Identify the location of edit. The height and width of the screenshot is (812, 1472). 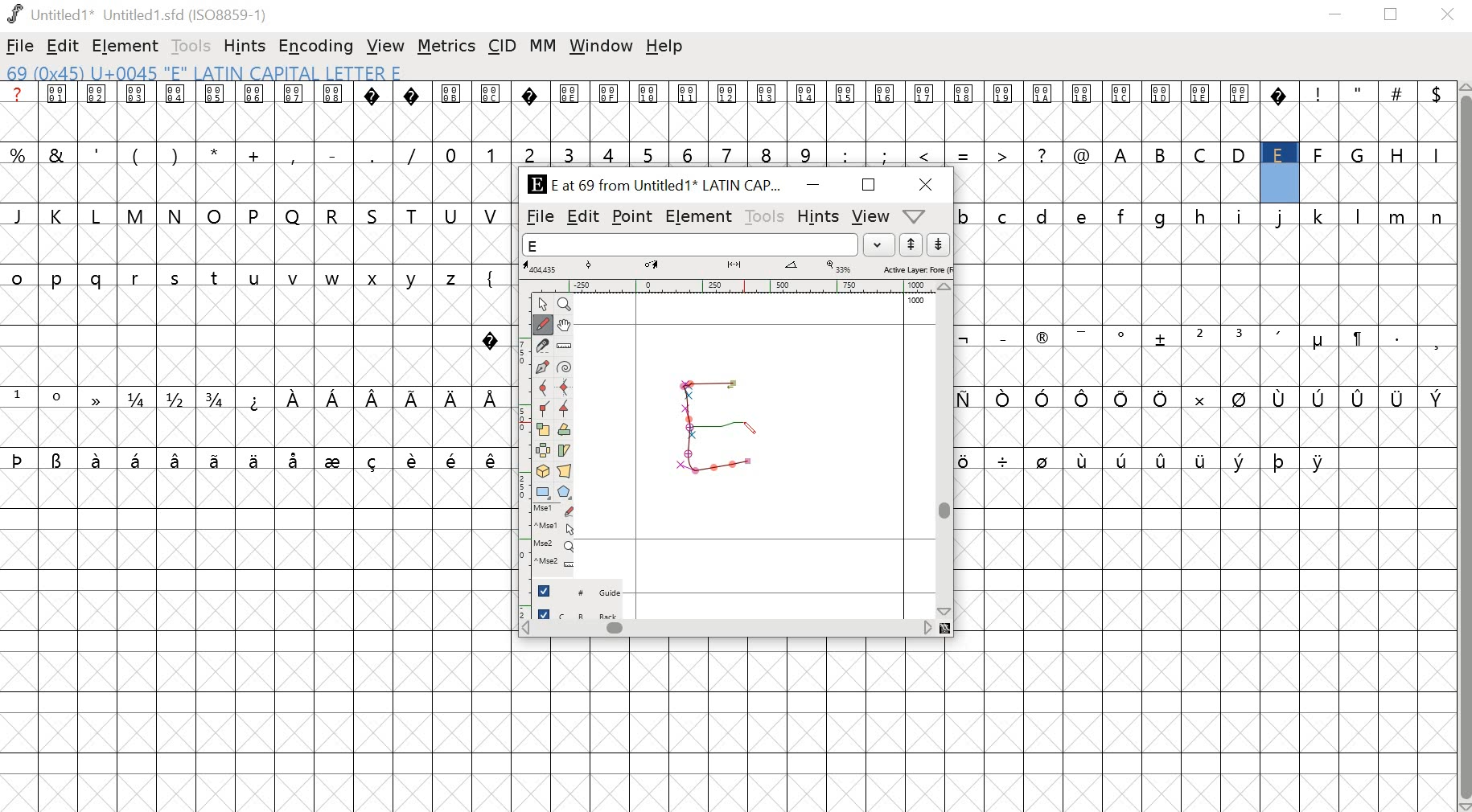
(64, 46).